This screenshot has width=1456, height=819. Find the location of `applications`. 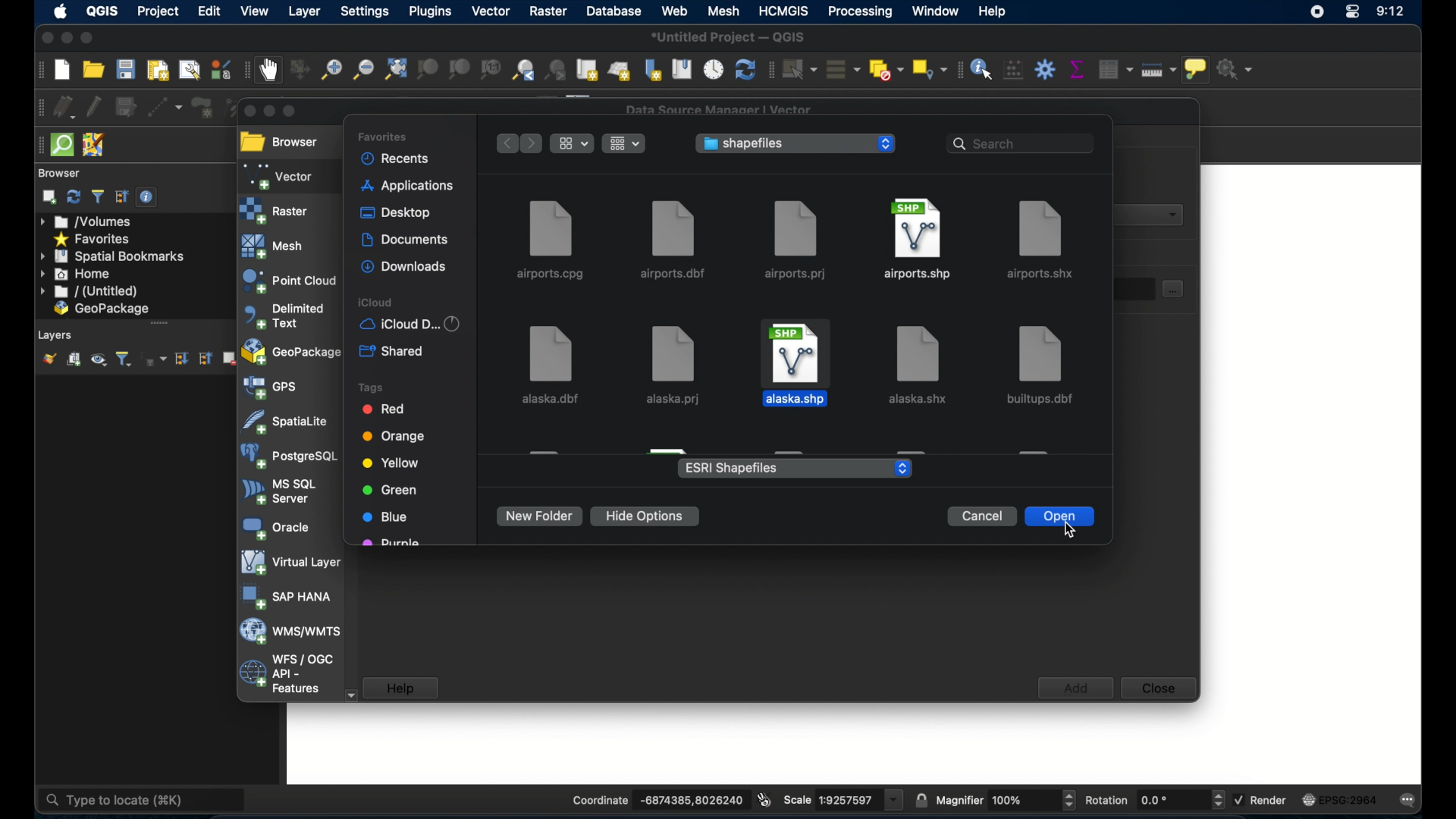

applications is located at coordinates (409, 187).